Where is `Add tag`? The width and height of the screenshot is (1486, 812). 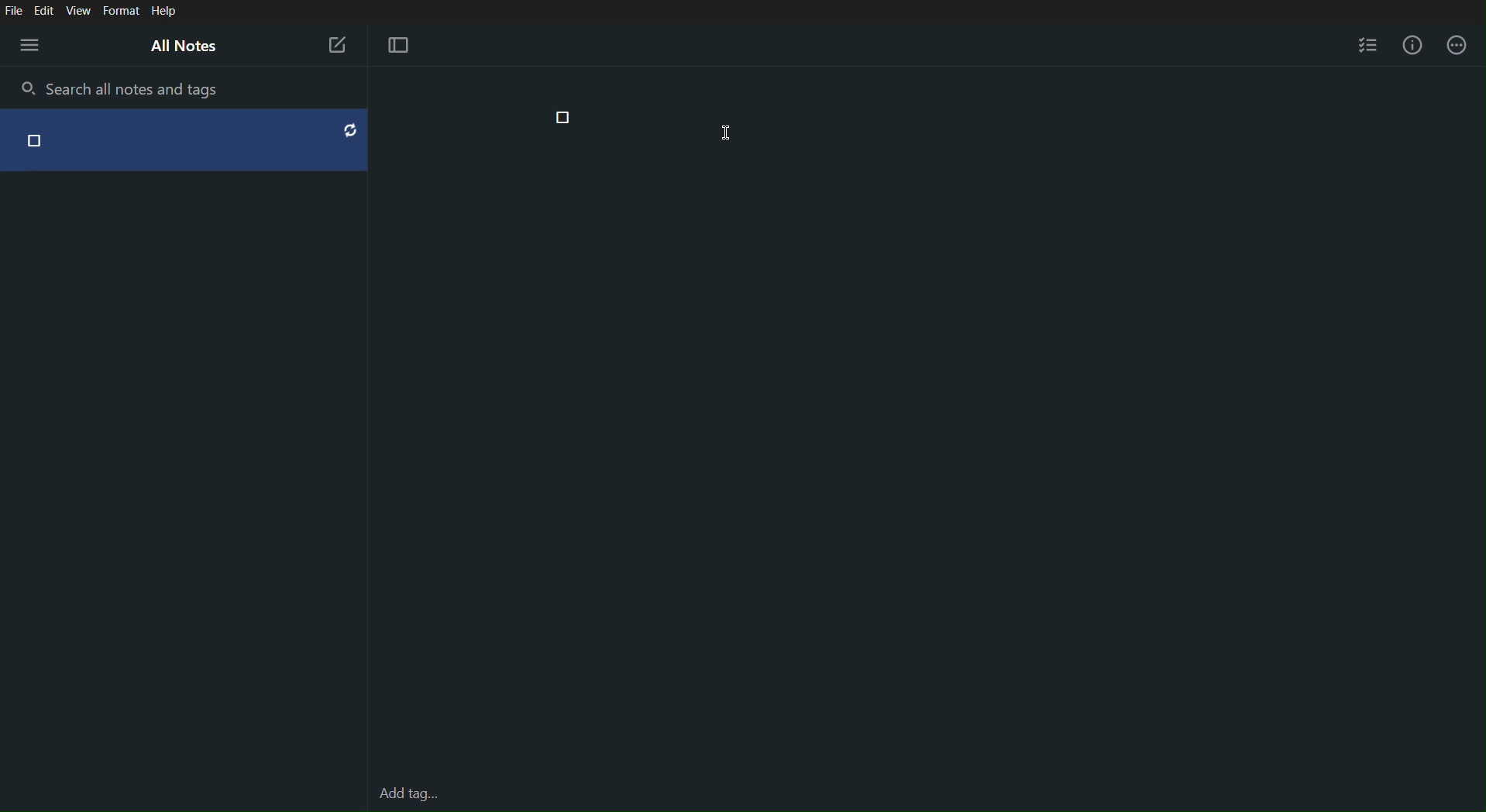 Add tag is located at coordinates (412, 795).